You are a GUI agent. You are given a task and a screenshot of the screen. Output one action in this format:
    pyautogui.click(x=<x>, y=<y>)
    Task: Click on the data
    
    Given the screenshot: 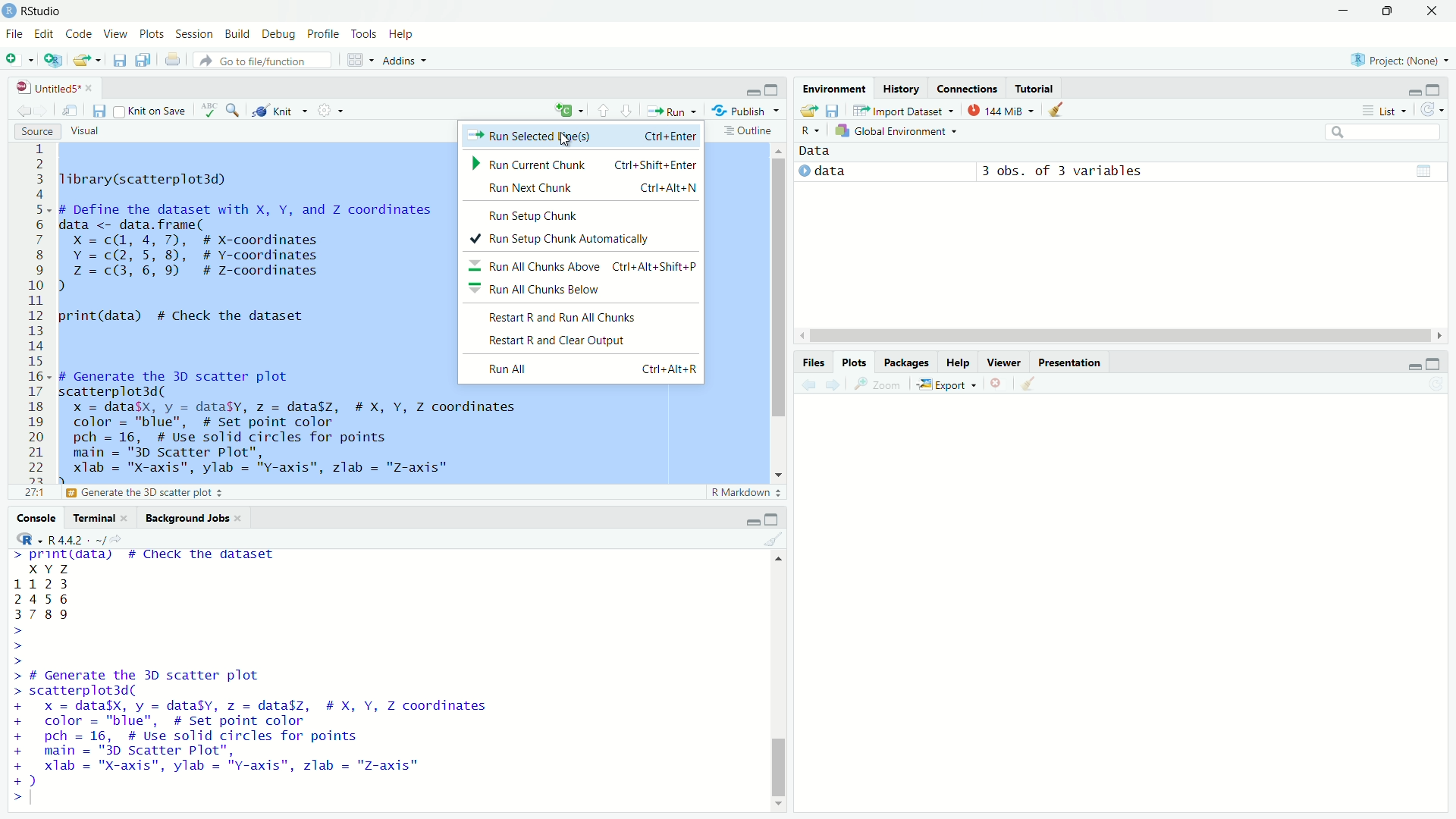 What is the action you would take?
    pyautogui.click(x=817, y=151)
    